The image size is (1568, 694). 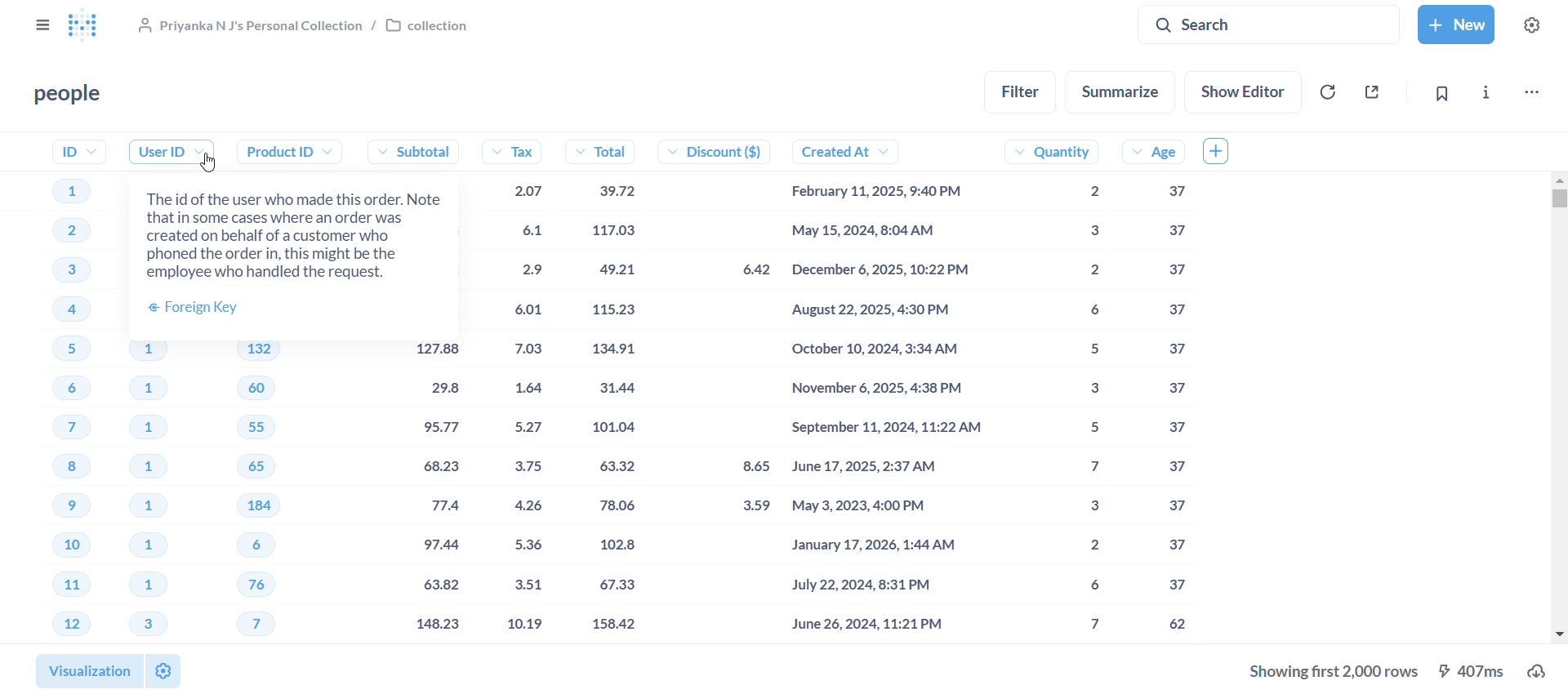 What do you see at coordinates (1535, 91) in the screenshot?
I see `move,trash, and more` at bounding box center [1535, 91].